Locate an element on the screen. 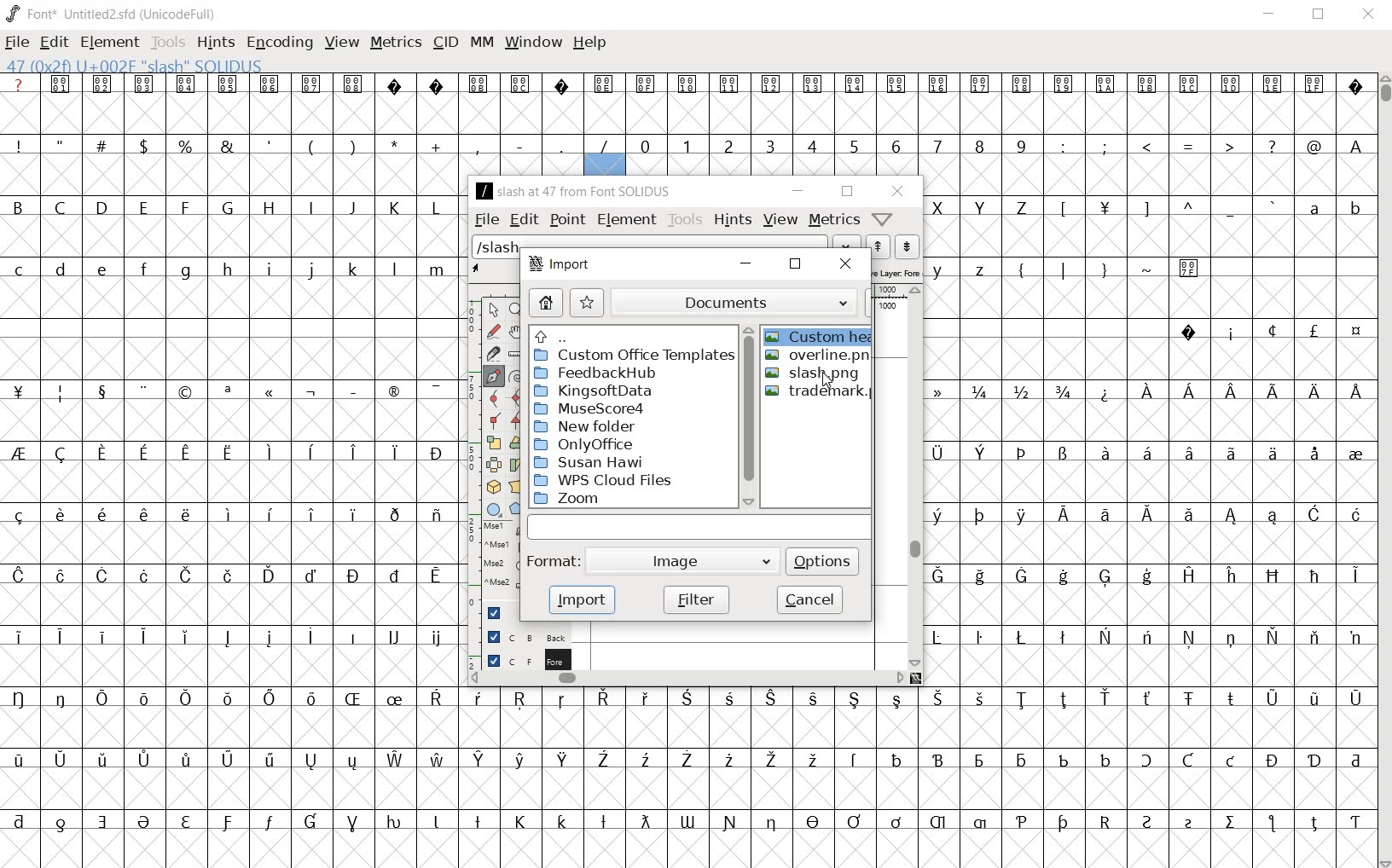 This screenshot has height=868, width=1392. empty cells is located at coordinates (1148, 542).